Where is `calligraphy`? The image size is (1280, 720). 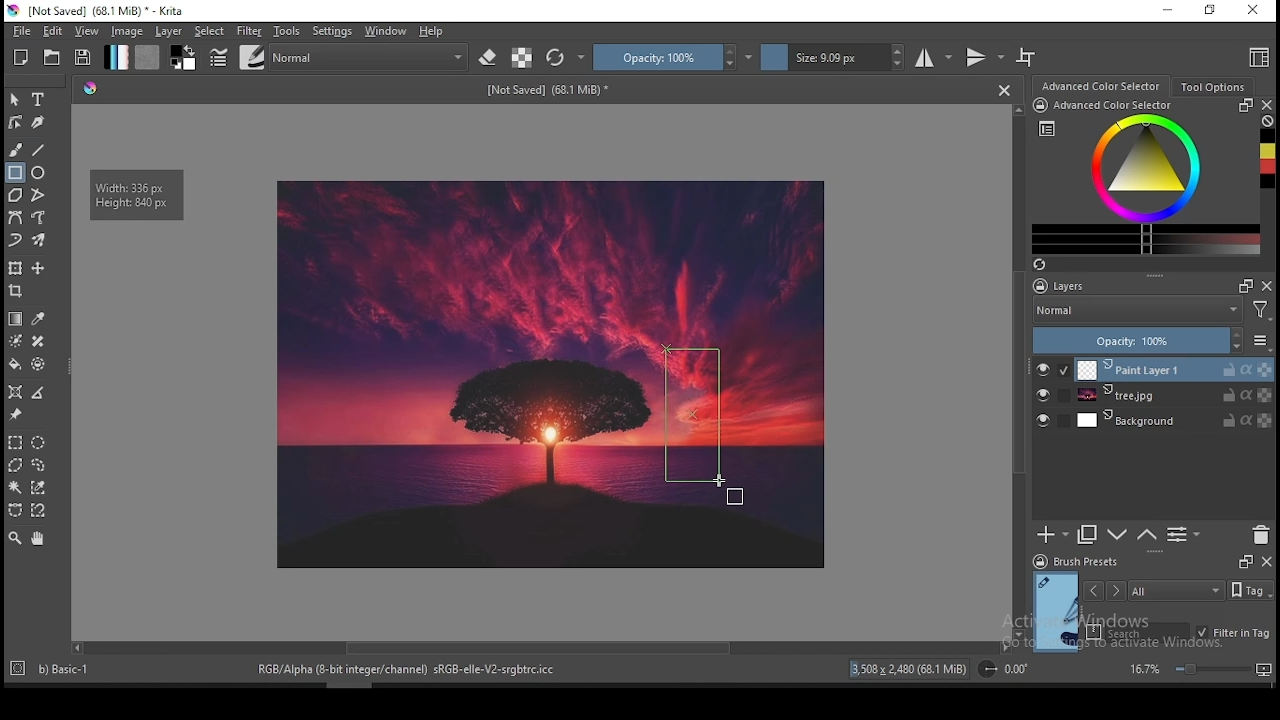 calligraphy is located at coordinates (37, 122).